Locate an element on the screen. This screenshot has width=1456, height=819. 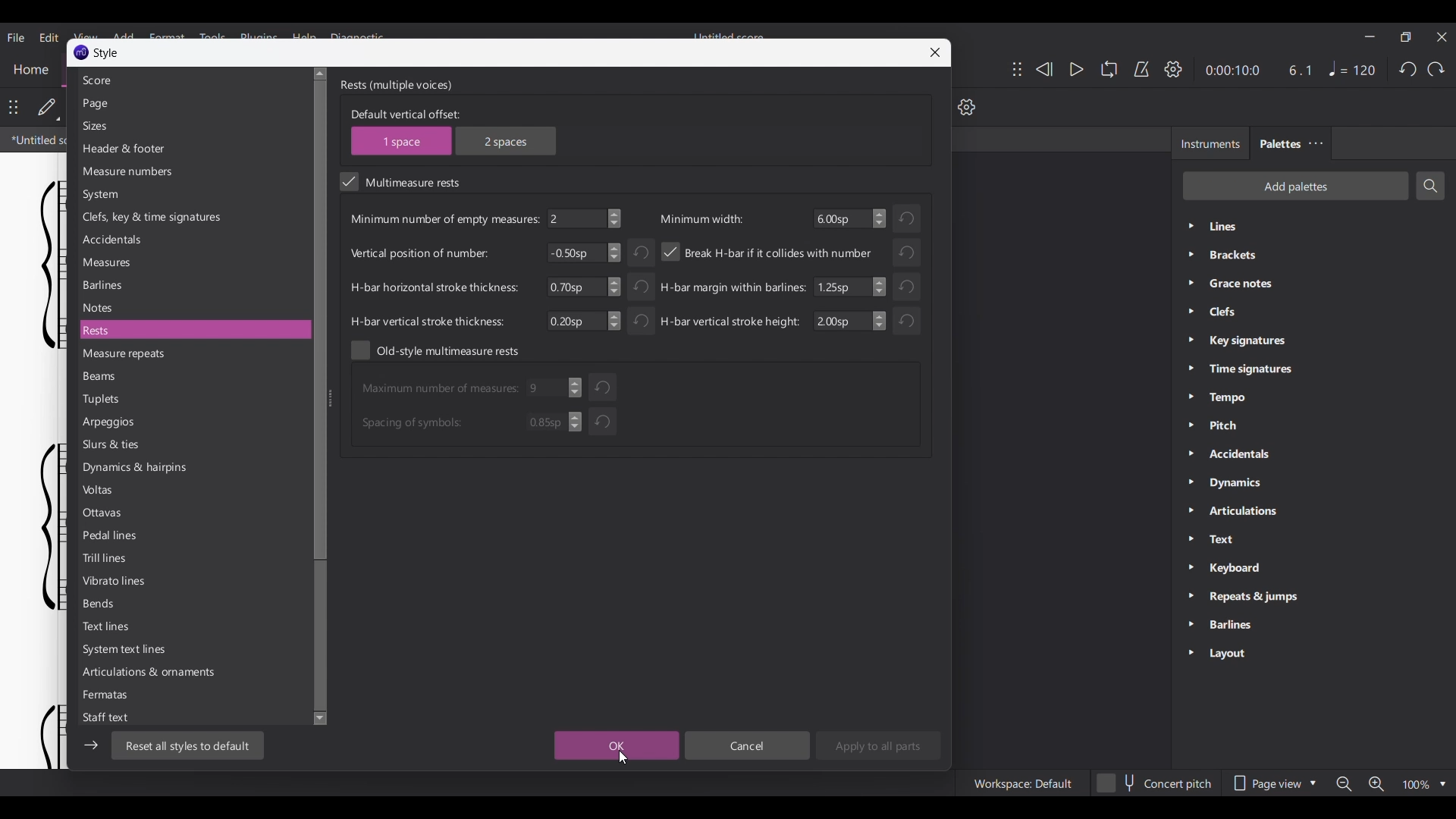
Measures is located at coordinates (193, 262).